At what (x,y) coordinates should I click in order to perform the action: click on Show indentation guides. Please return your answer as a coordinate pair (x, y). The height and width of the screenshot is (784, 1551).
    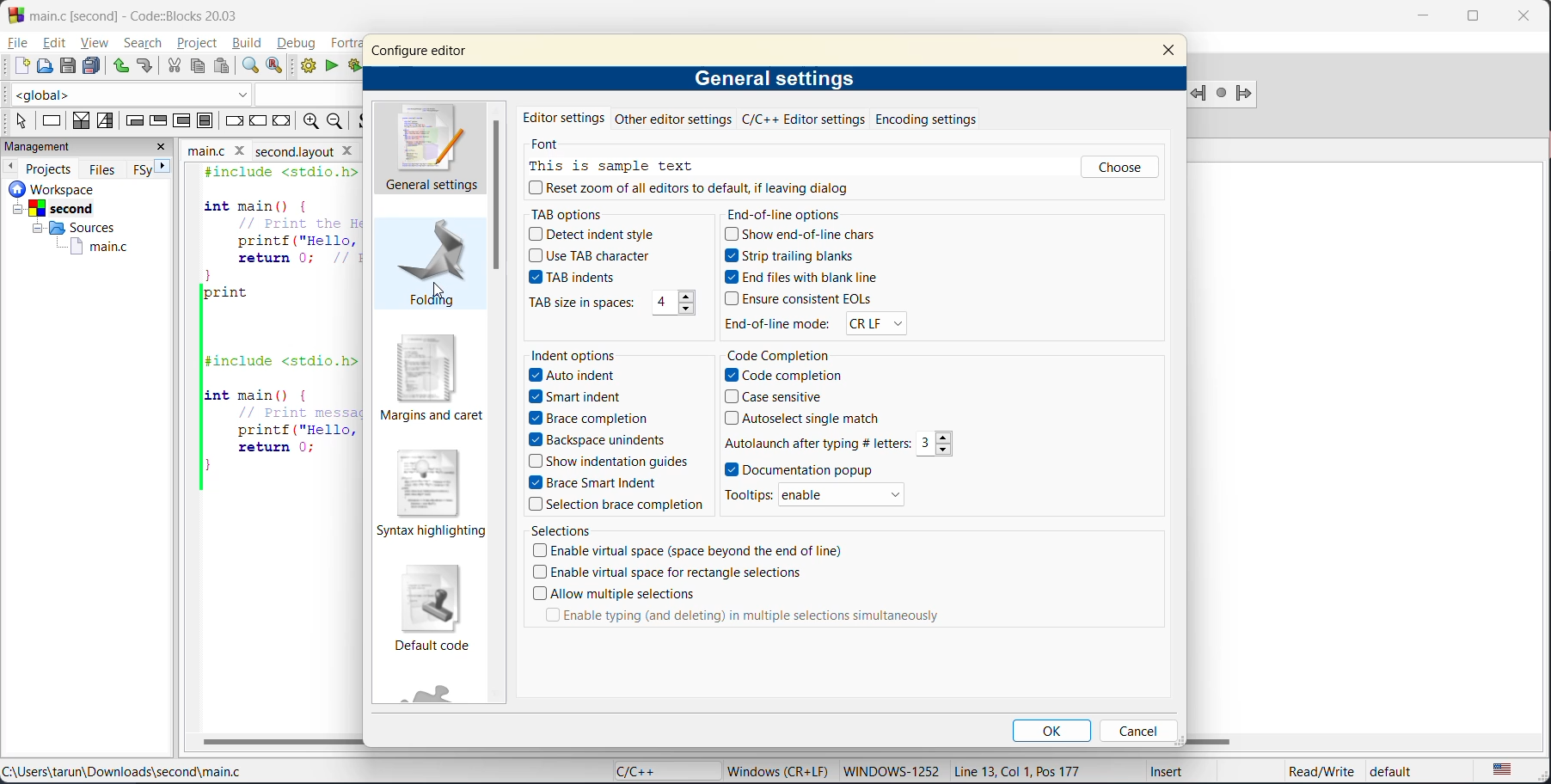
    Looking at the image, I should click on (607, 460).